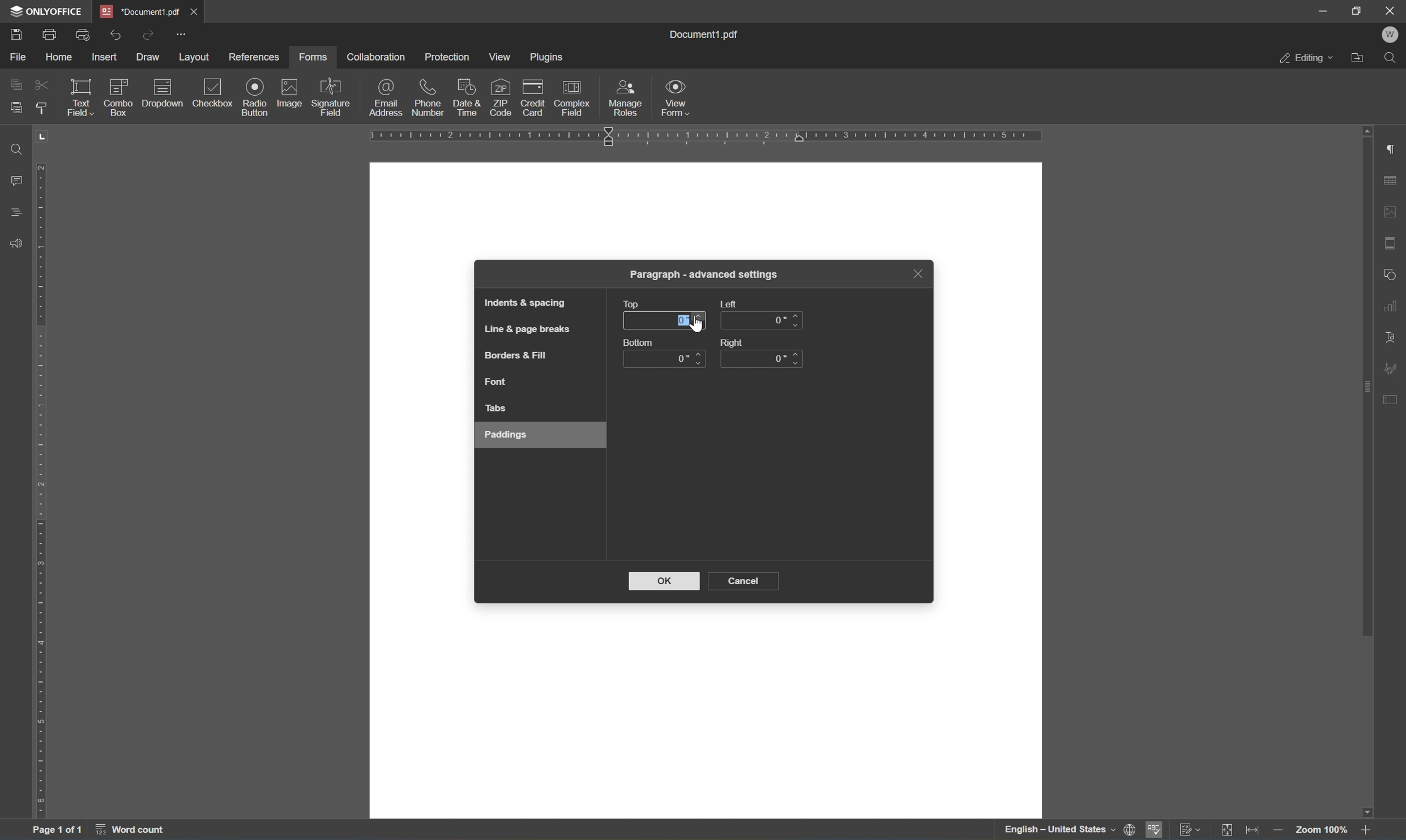  What do you see at coordinates (149, 57) in the screenshot?
I see `draw` at bounding box center [149, 57].